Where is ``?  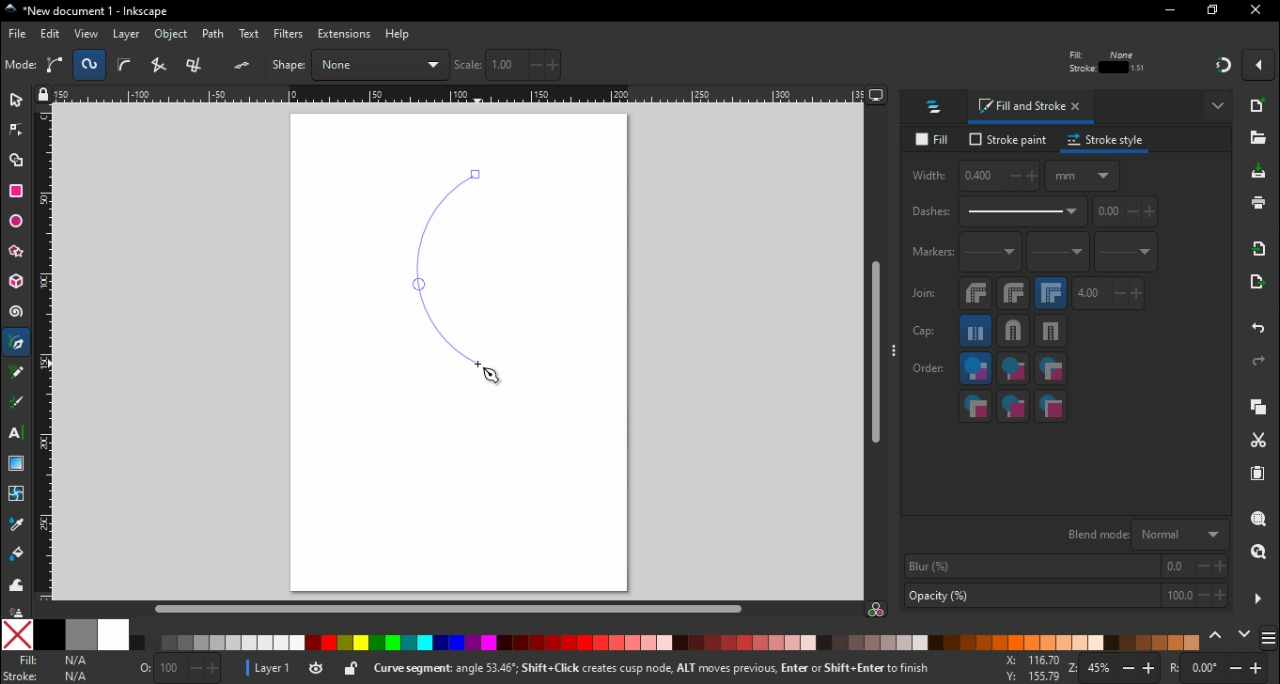  is located at coordinates (15, 612).